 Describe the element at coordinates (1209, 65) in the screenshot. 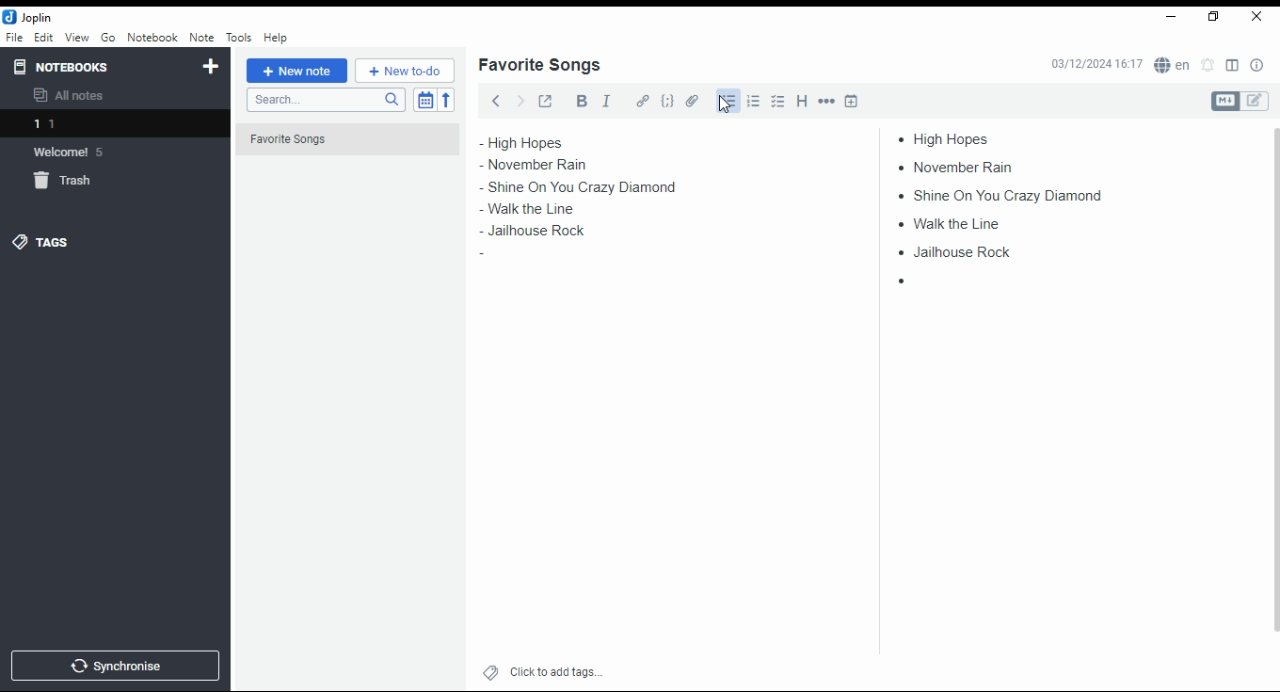

I see `set alarm` at that location.